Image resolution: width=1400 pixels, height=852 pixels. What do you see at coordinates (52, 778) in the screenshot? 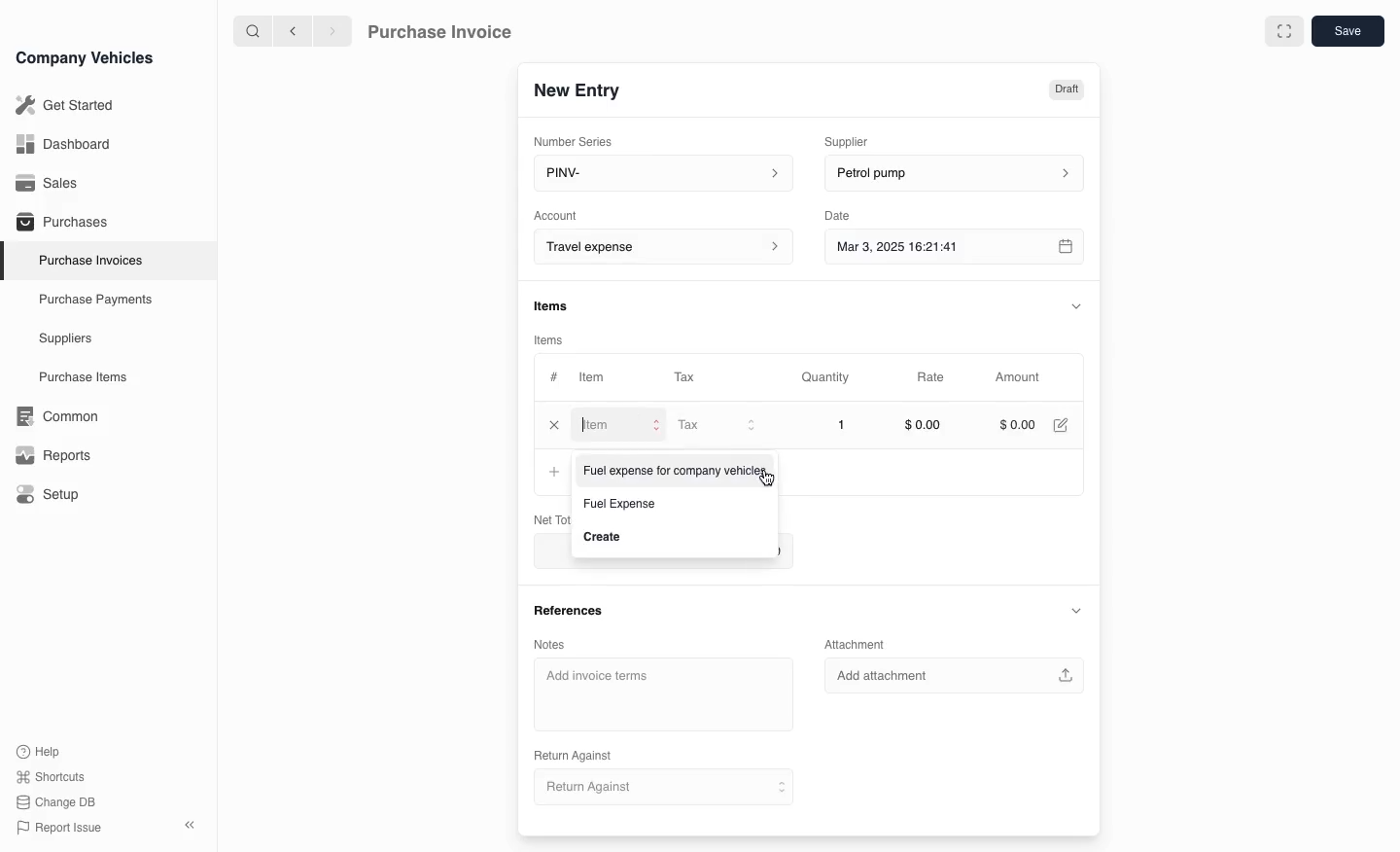
I see `Shortcuts` at bounding box center [52, 778].